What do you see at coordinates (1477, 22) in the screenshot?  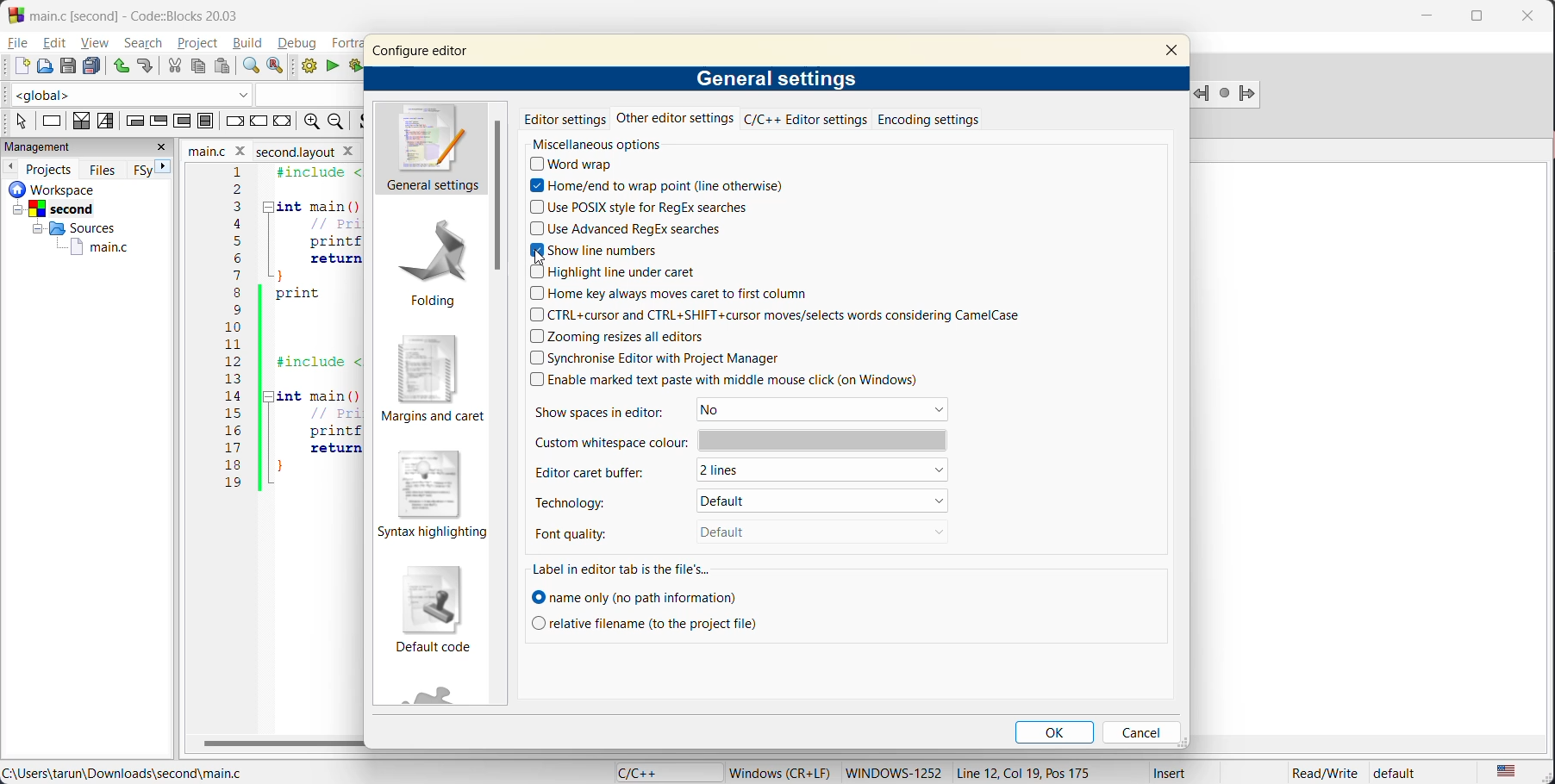 I see `maximize` at bounding box center [1477, 22].